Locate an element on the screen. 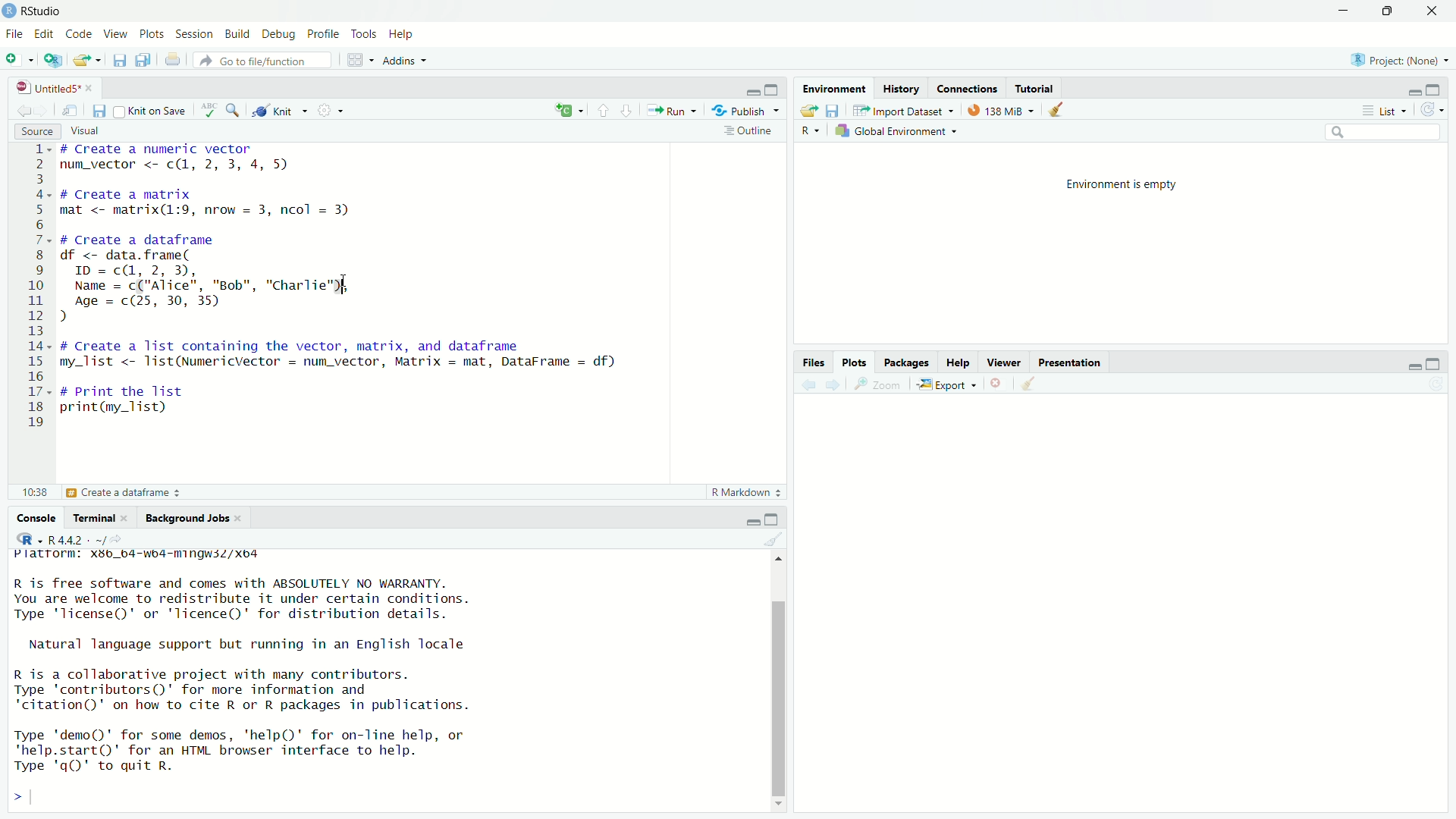  maximise is located at coordinates (772, 87).